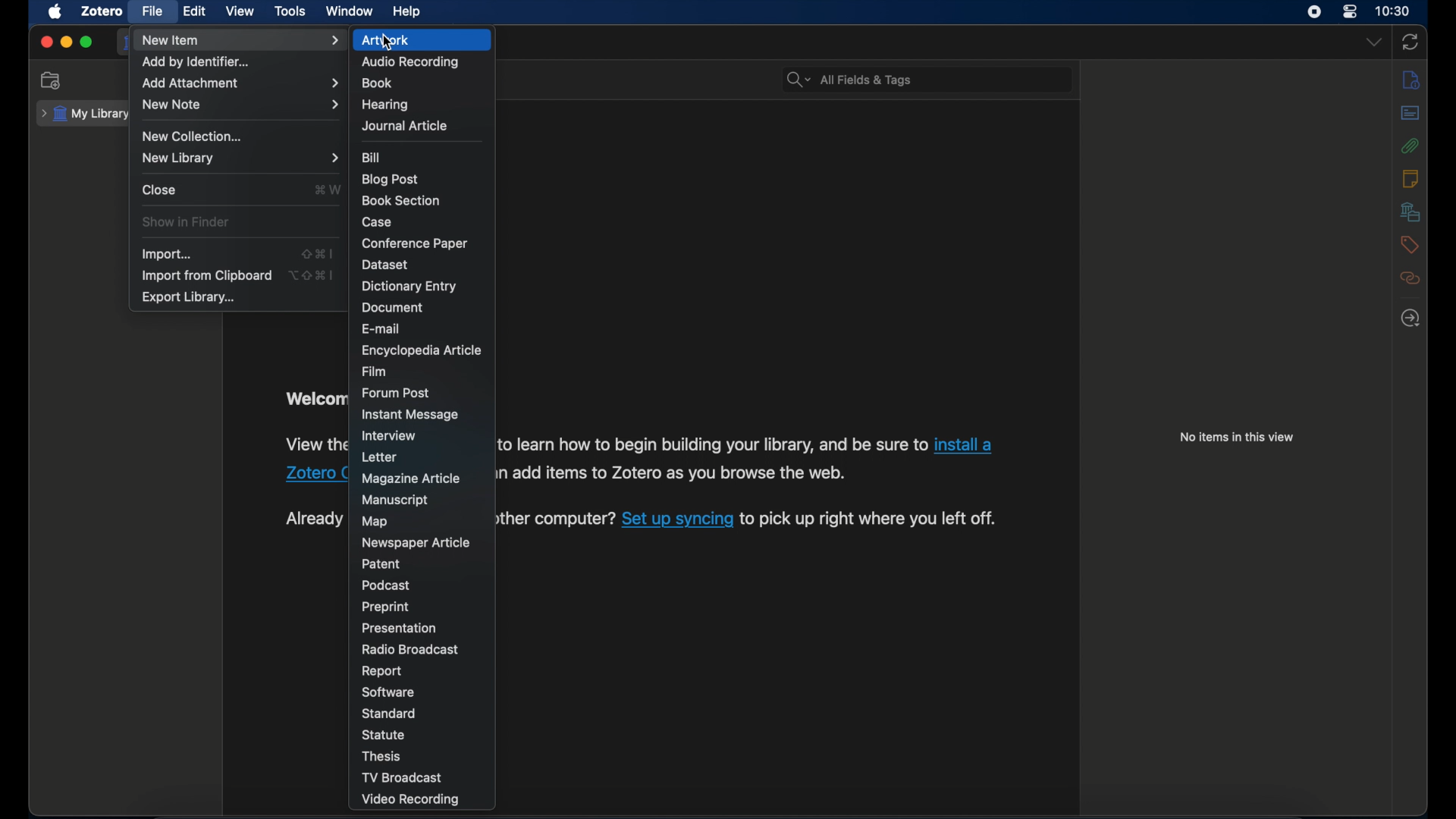 The image size is (1456, 819). Describe the element at coordinates (290, 11) in the screenshot. I see `tools` at that location.